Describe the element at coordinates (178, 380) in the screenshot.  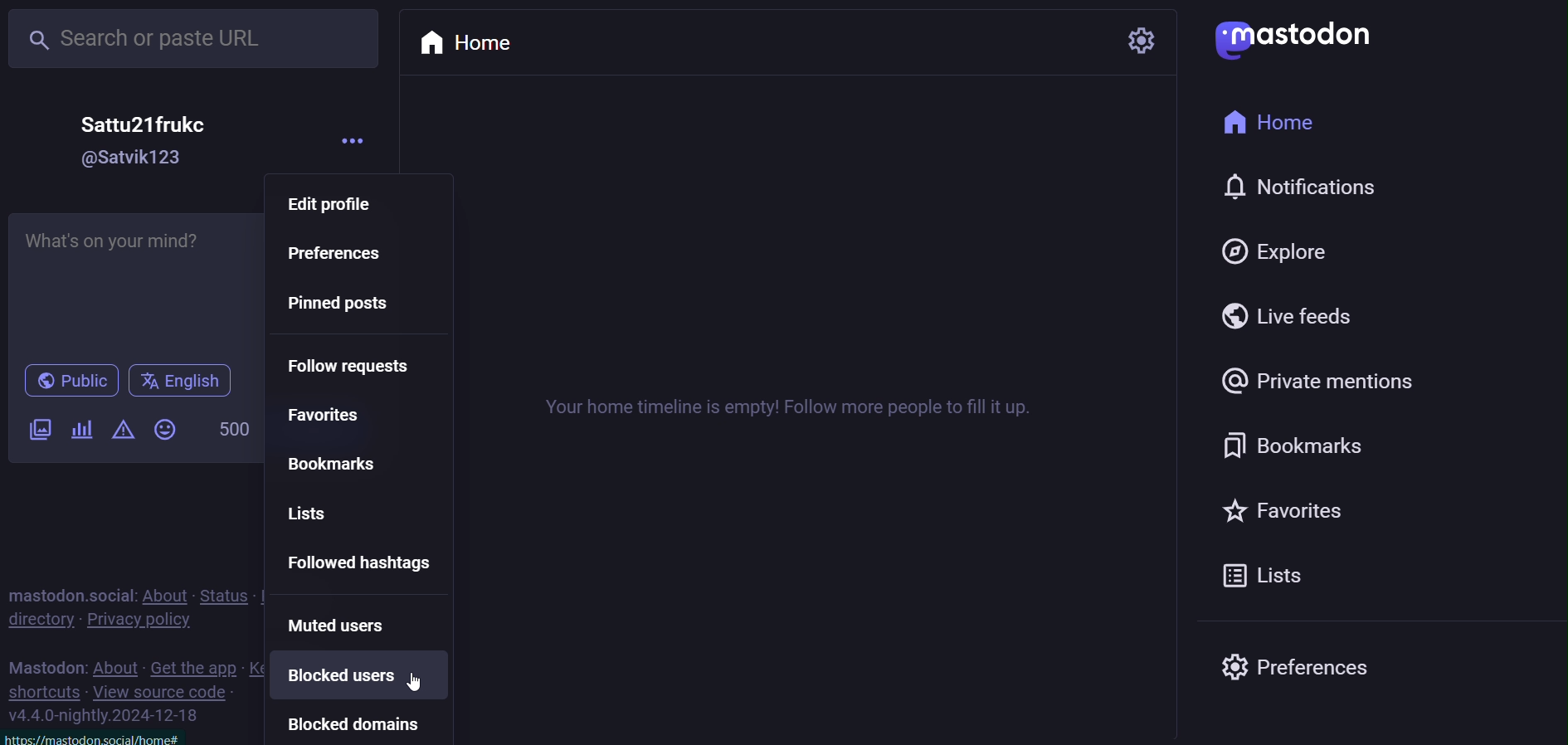
I see `english` at that location.